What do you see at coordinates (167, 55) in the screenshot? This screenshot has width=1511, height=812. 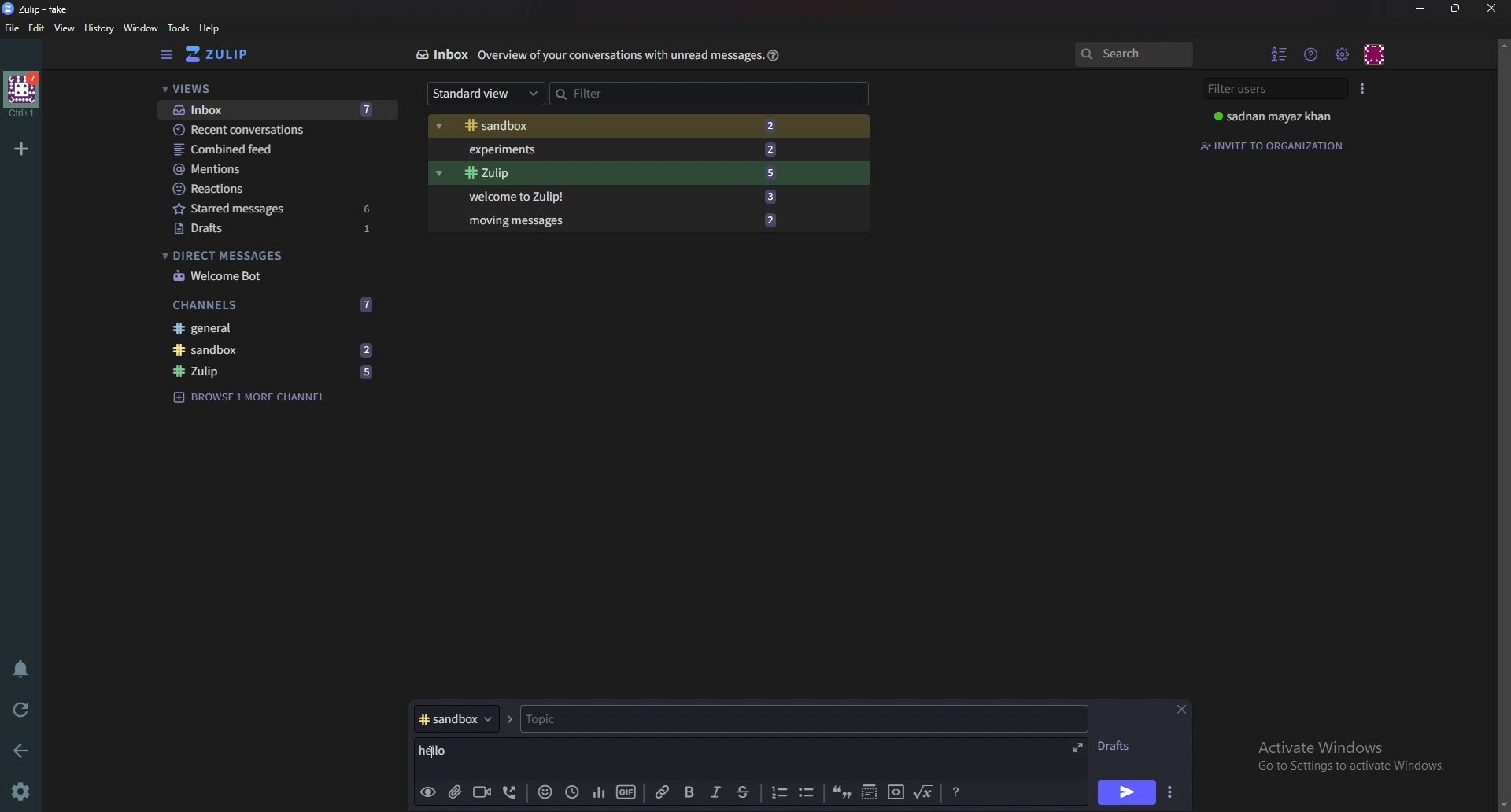 I see `hide side bar` at bounding box center [167, 55].